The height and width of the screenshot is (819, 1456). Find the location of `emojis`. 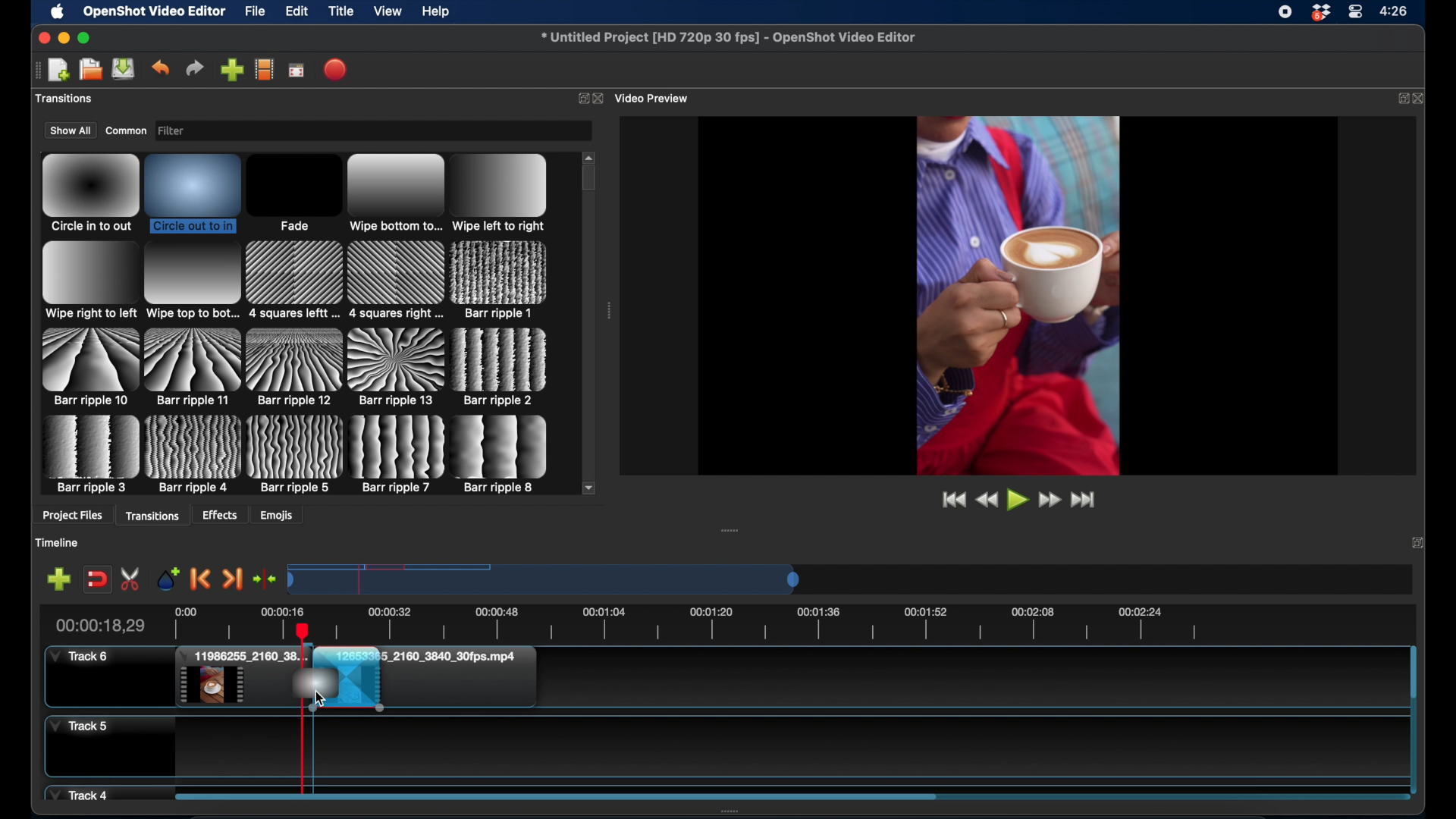

emojis is located at coordinates (277, 515).